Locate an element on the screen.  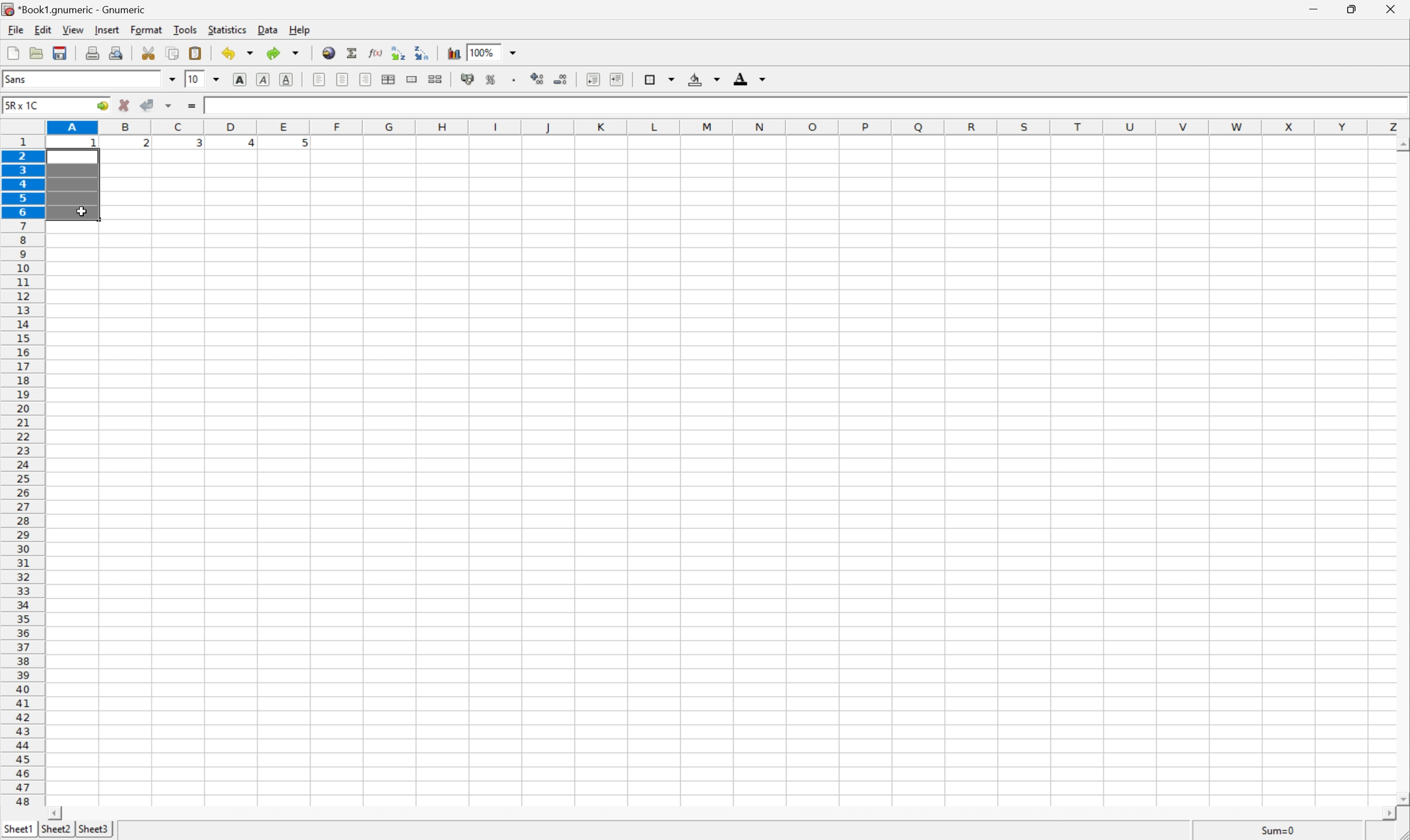
edit is located at coordinates (41, 29).